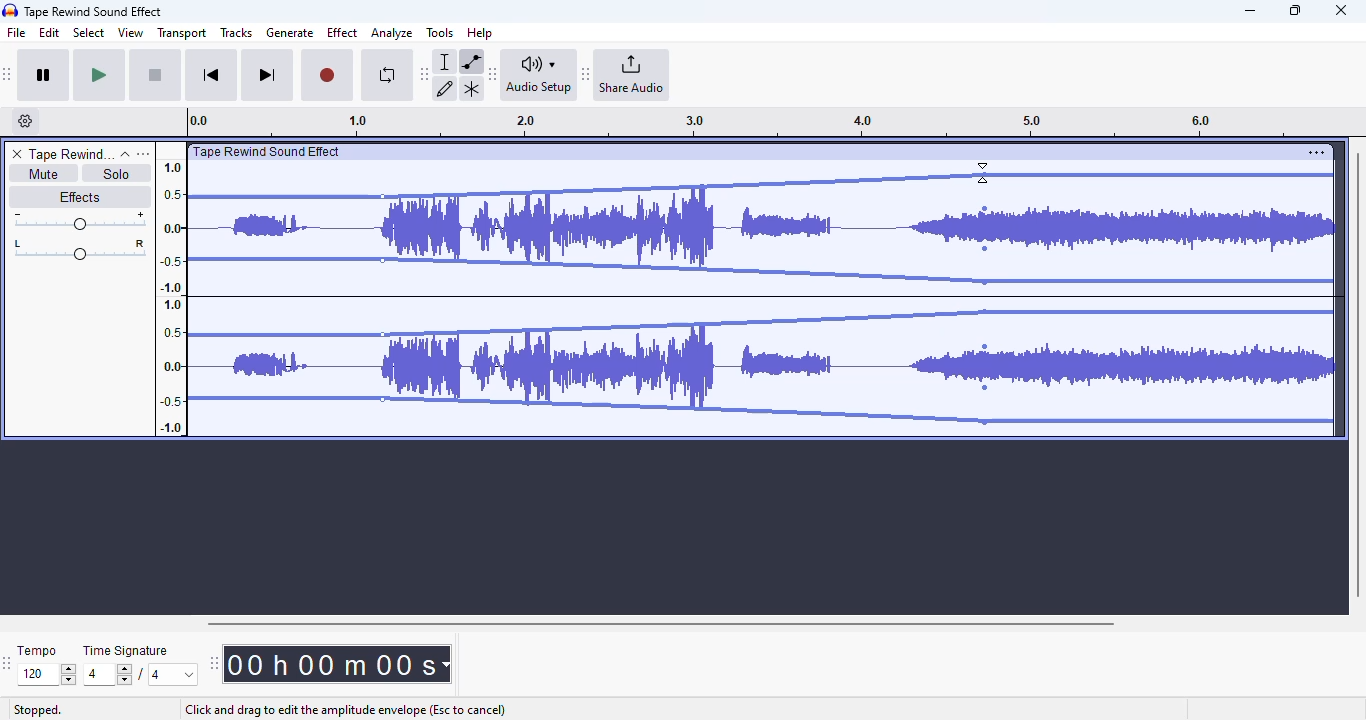 The height and width of the screenshot is (720, 1366). What do you see at coordinates (382, 335) in the screenshot?
I see `Control point` at bounding box center [382, 335].